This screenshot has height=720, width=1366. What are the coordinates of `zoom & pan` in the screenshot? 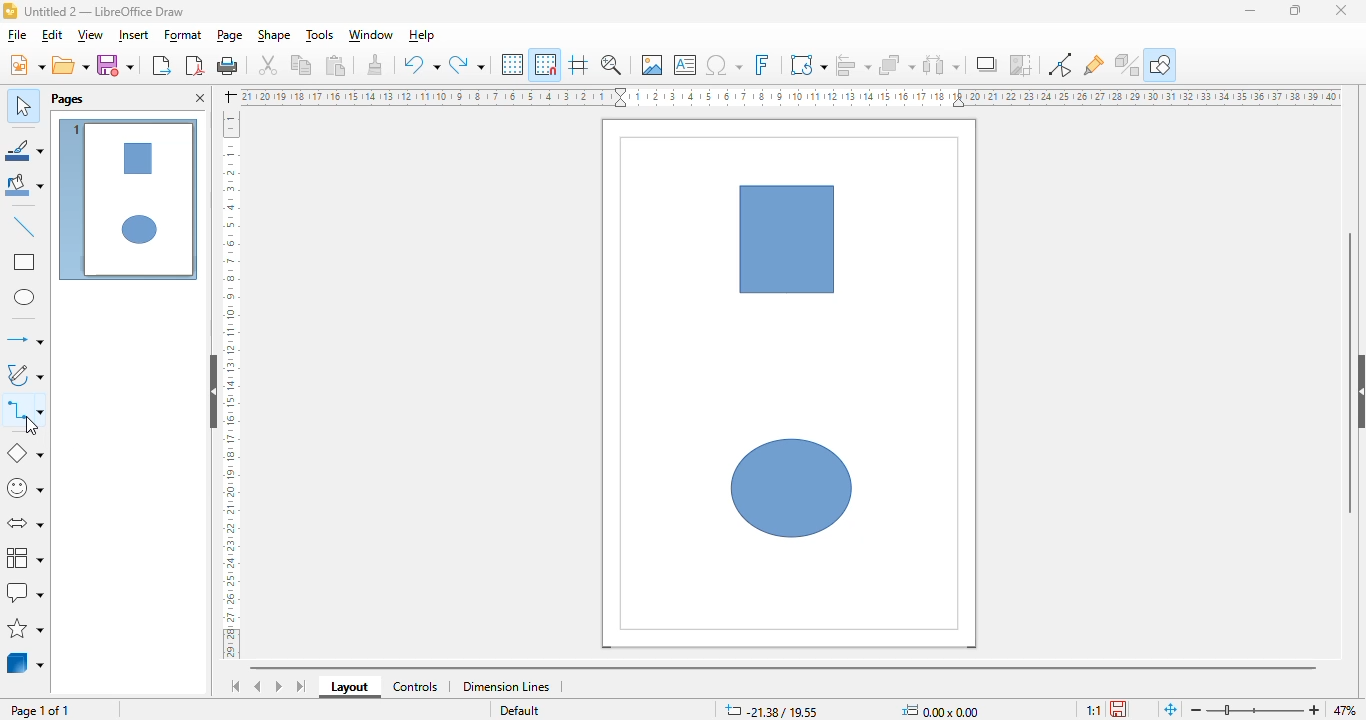 It's located at (611, 64).